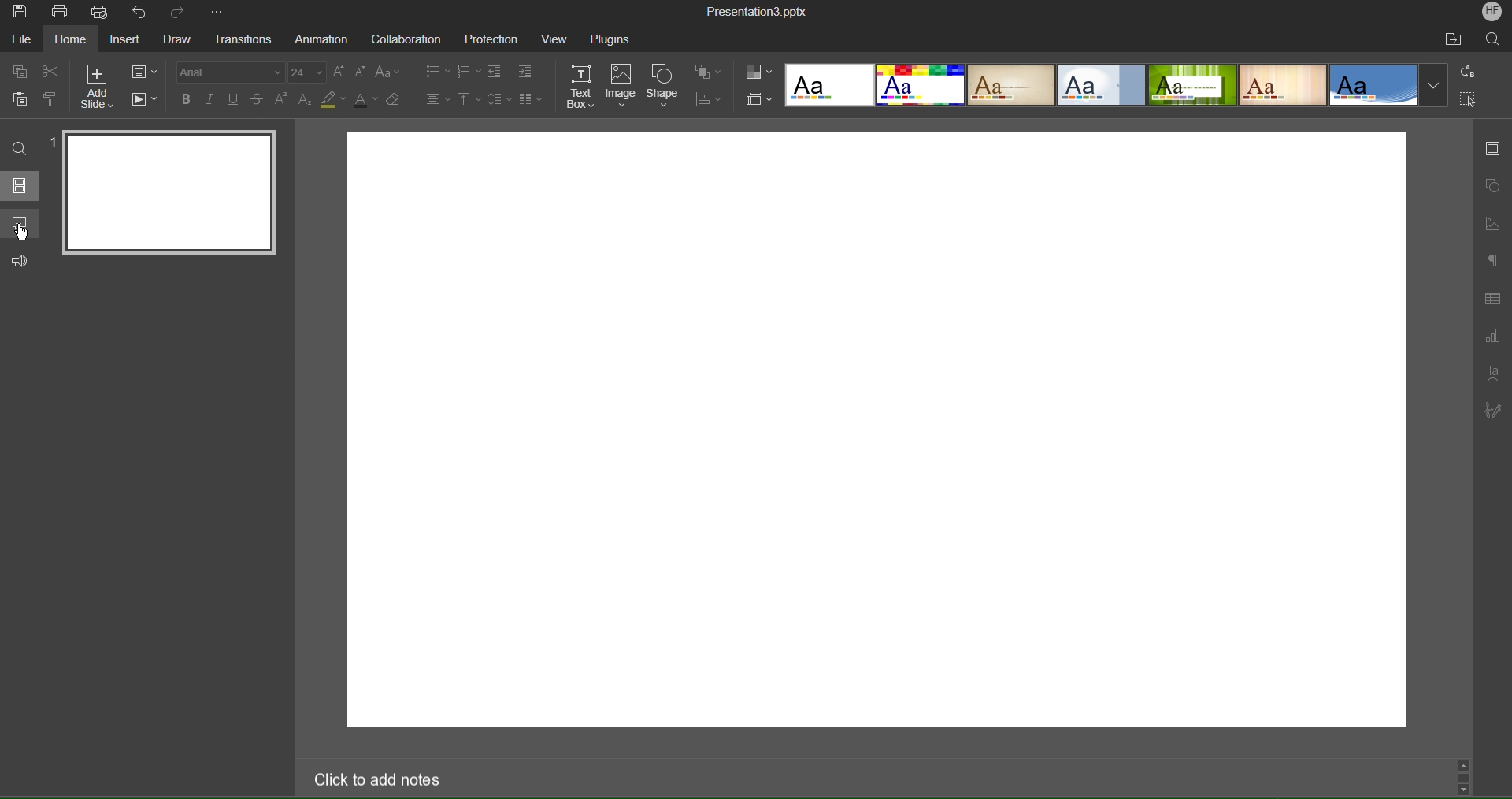  What do you see at coordinates (372, 779) in the screenshot?
I see `Click to add notes` at bounding box center [372, 779].